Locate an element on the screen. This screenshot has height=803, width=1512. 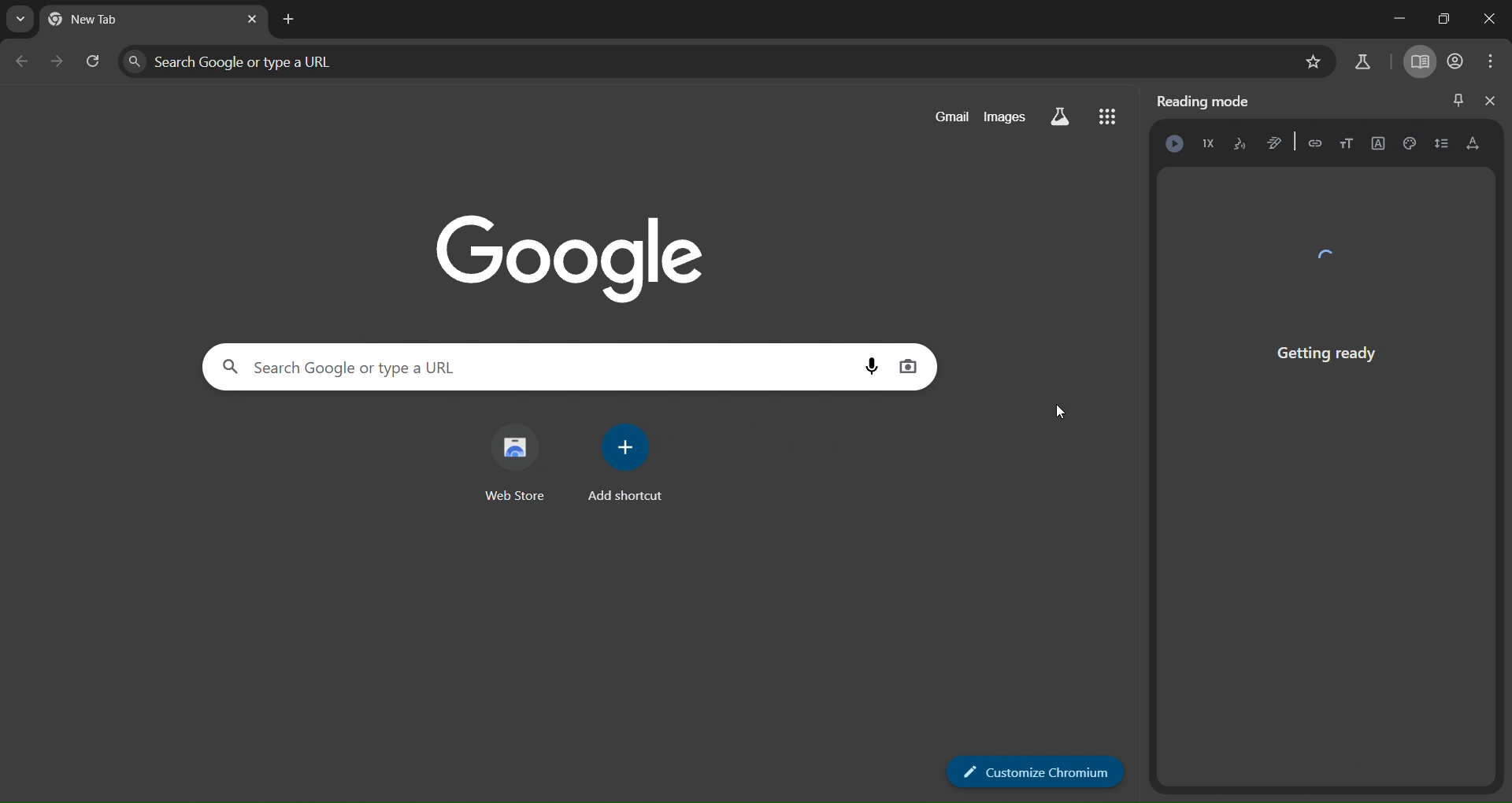
go forward one page is located at coordinates (56, 60).